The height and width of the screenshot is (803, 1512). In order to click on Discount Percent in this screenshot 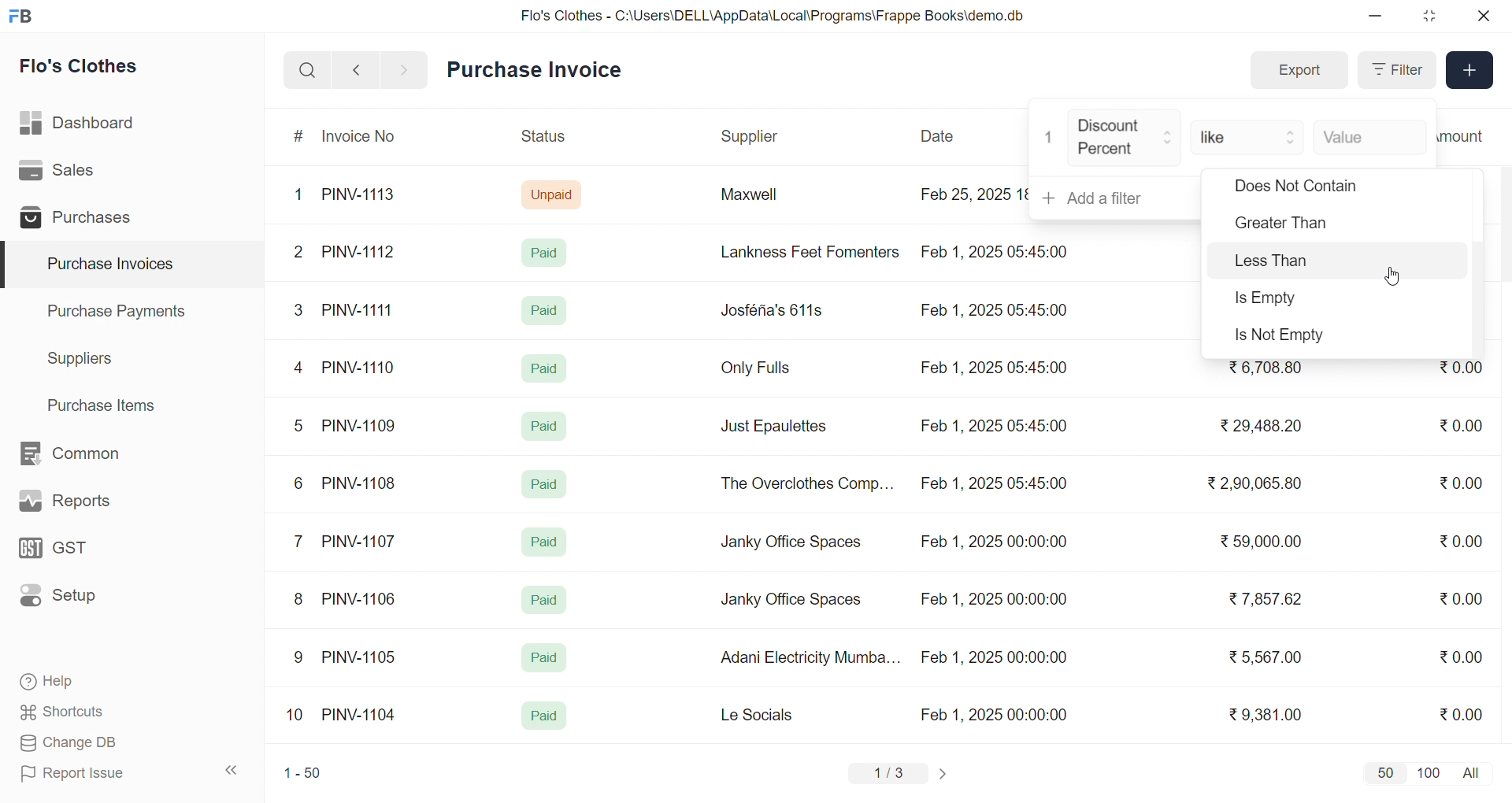, I will do `click(1125, 139)`.